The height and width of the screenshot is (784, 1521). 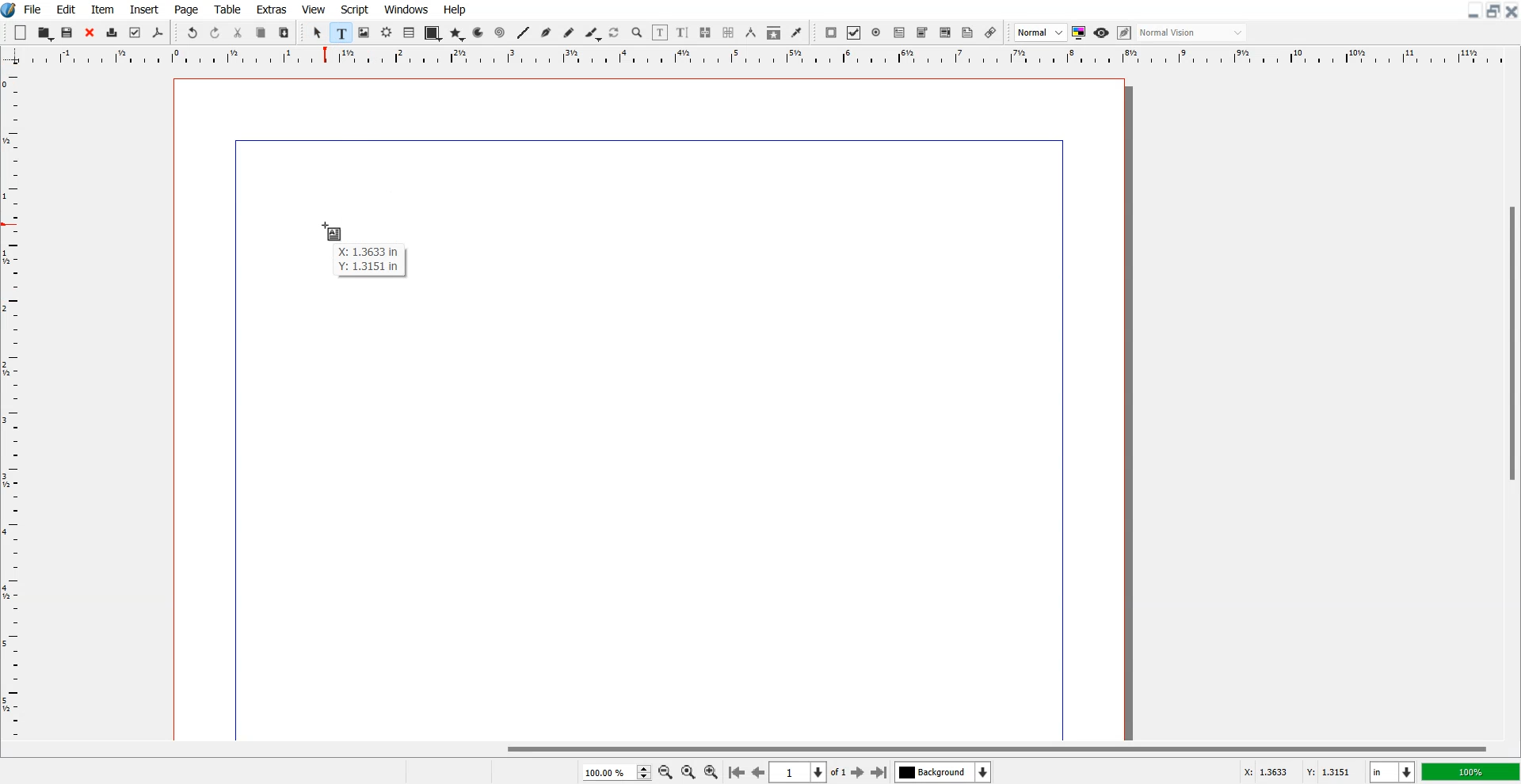 I want to click on Table, so click(x=410, y=32).